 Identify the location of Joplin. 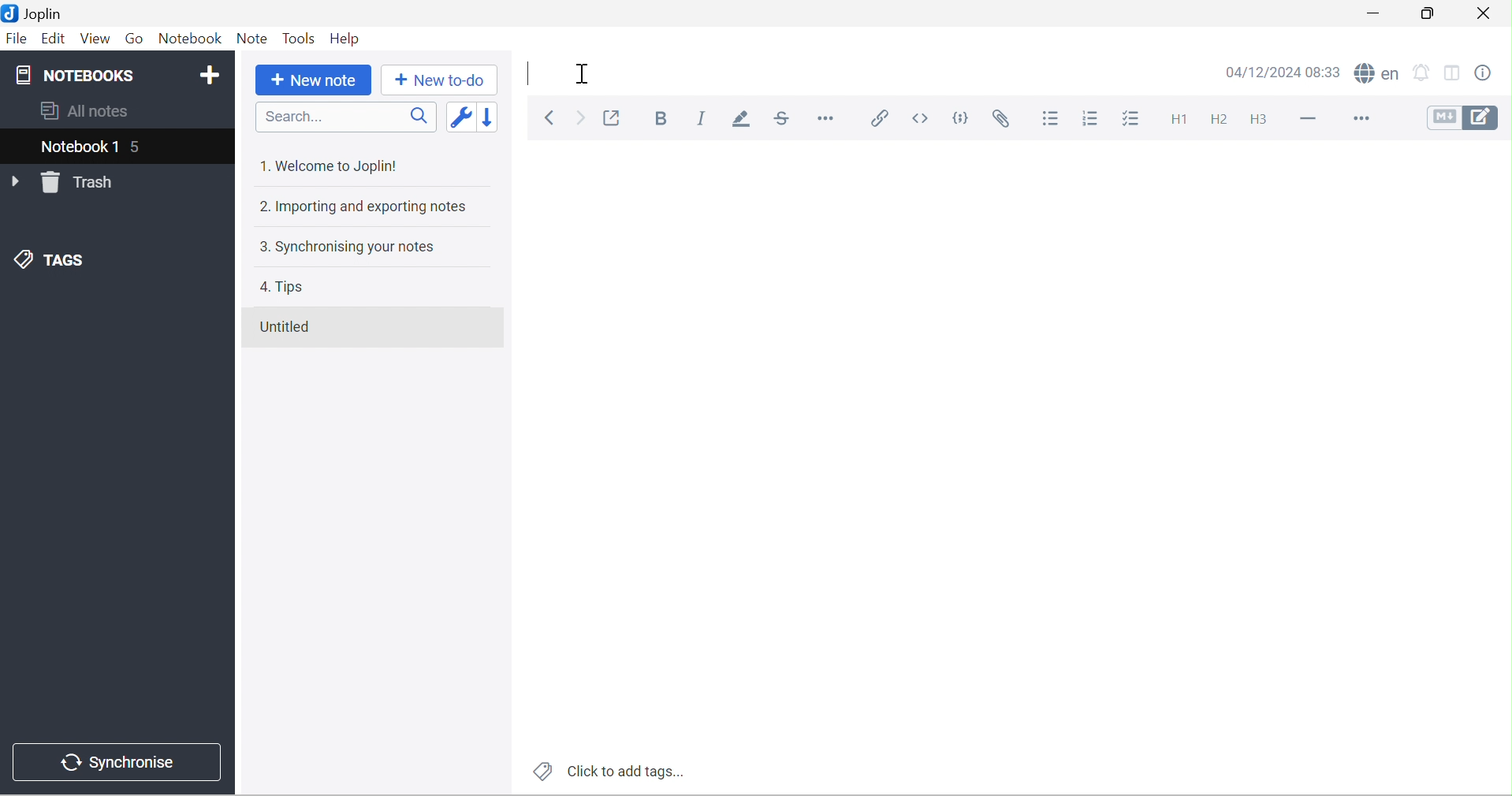
(35, 13).